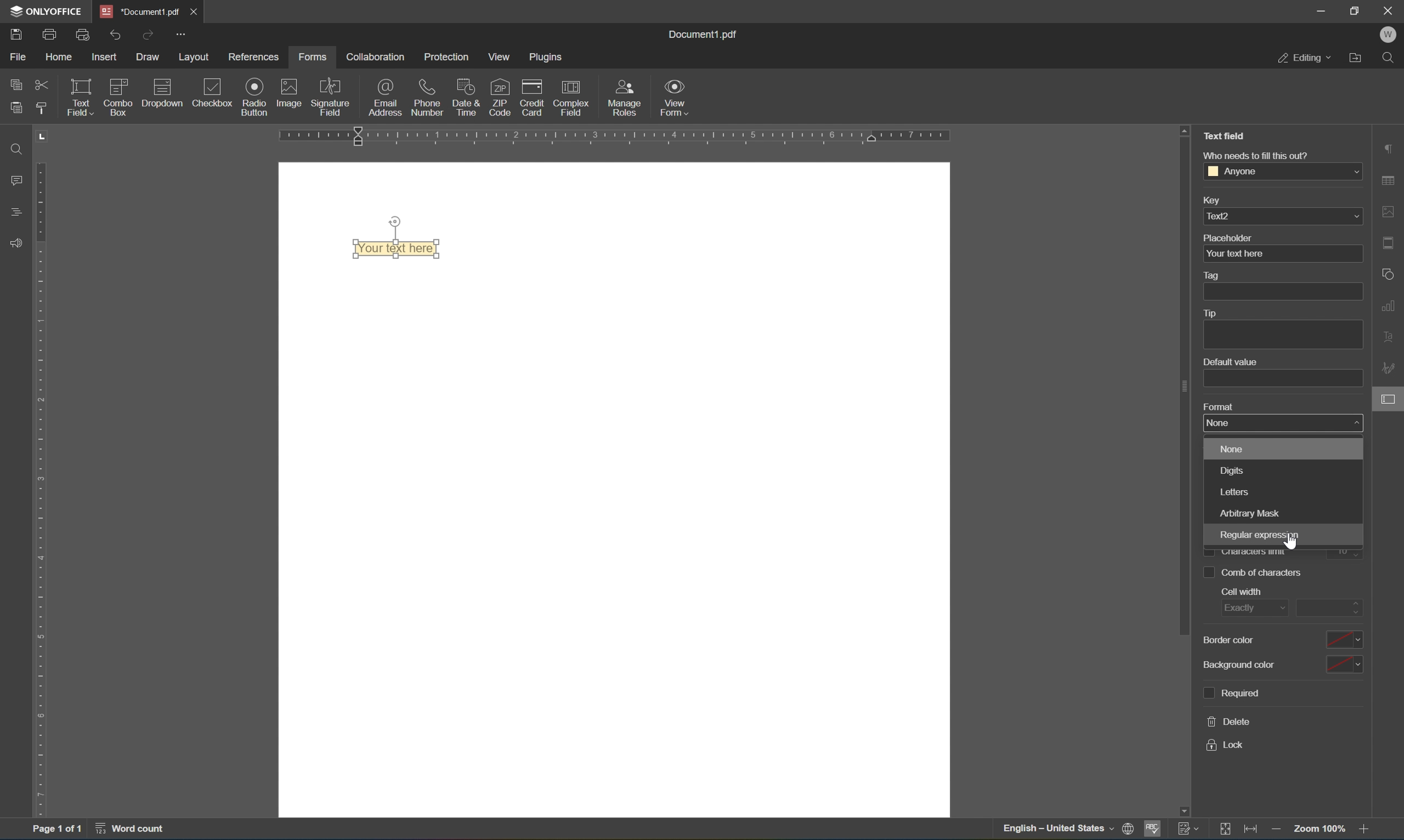  Describe the element at coordinates (119, 98) in the screenshot. I see `combo box` at that location.